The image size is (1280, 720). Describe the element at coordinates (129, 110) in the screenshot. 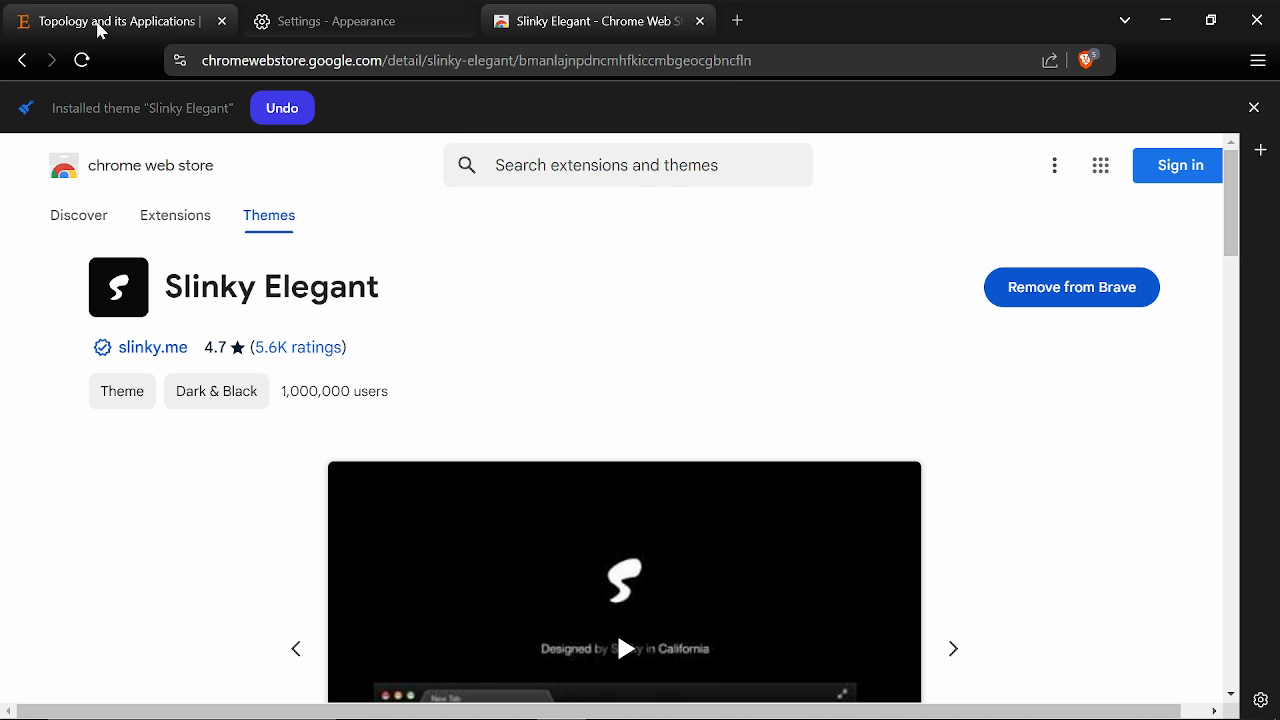

I see `Theme installed` at that location.